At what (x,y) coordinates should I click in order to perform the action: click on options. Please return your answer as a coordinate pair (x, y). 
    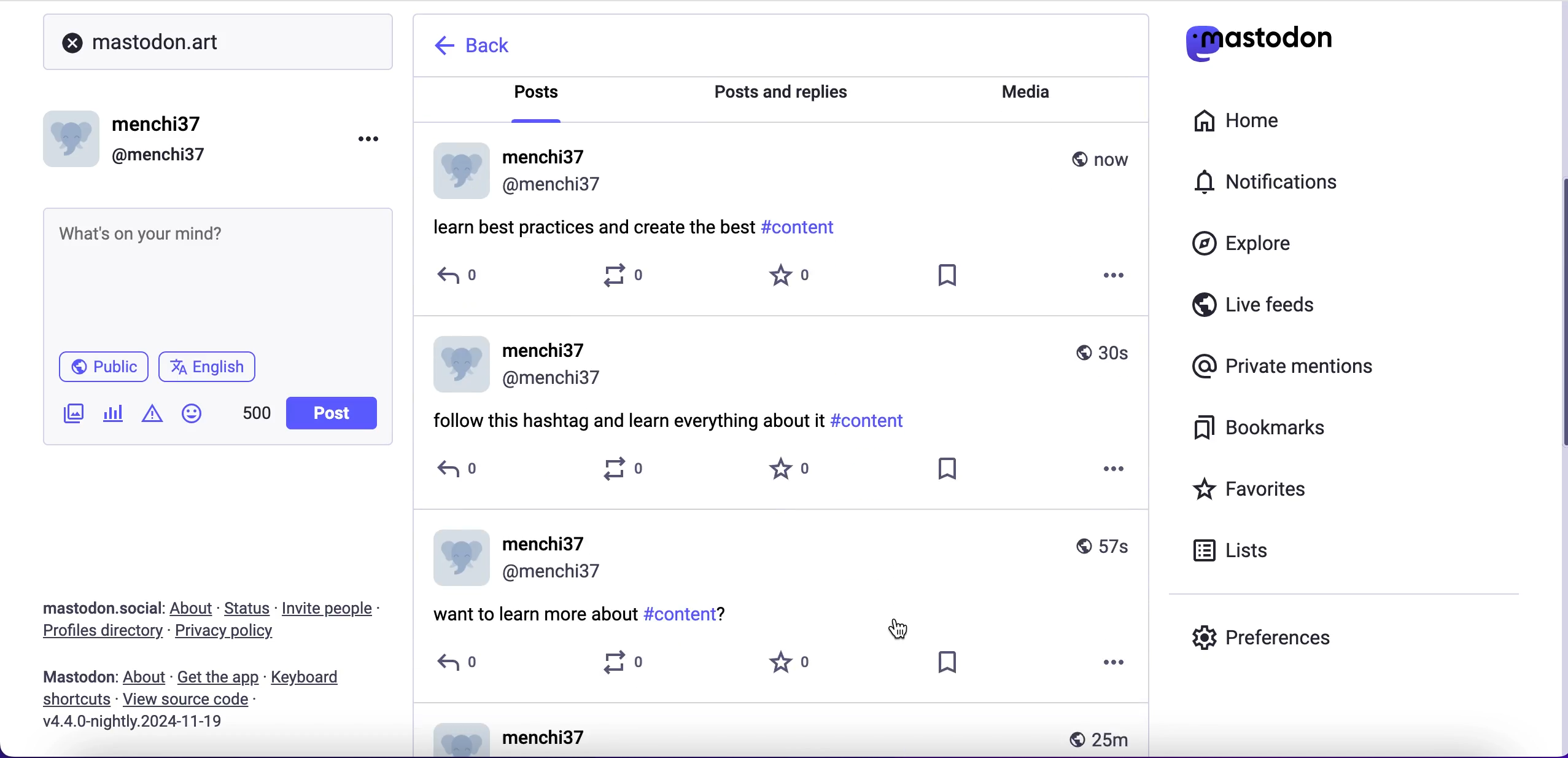
    Looking at the image, I should click on (1111, 468).